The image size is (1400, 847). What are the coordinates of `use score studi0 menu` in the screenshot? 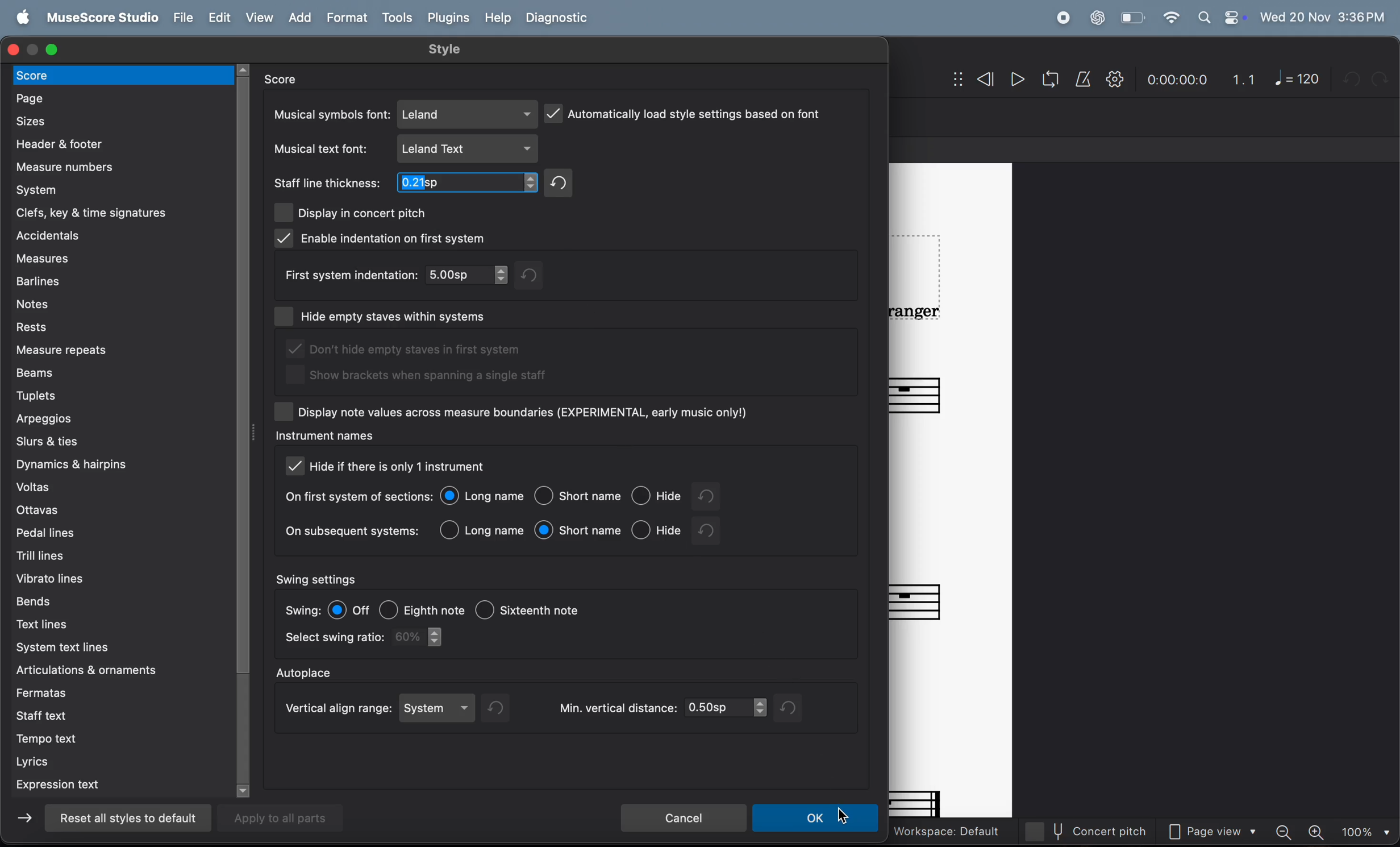 It's located at (99, 18).